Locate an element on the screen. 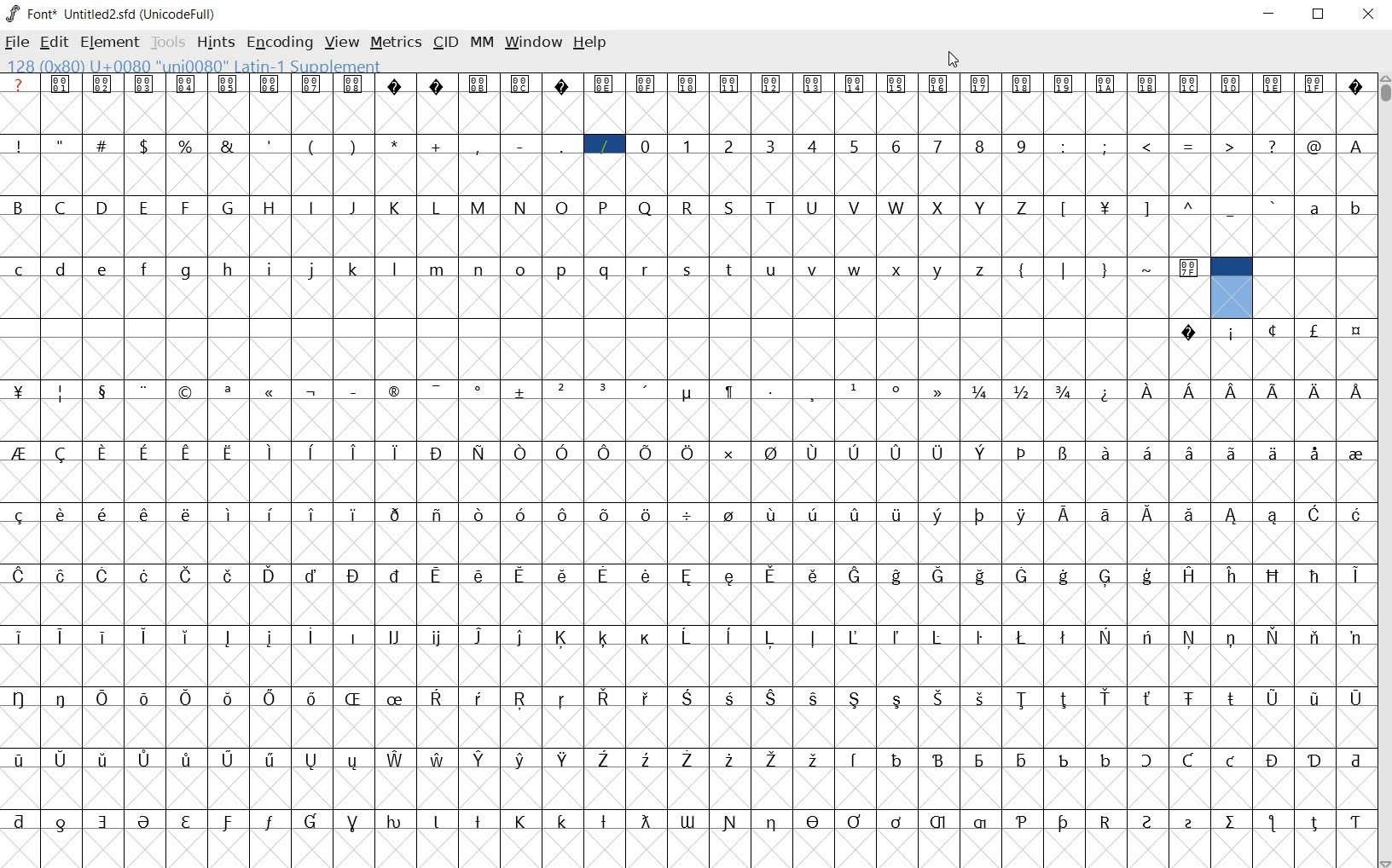  Symbol is located at coordinates (690, 697).